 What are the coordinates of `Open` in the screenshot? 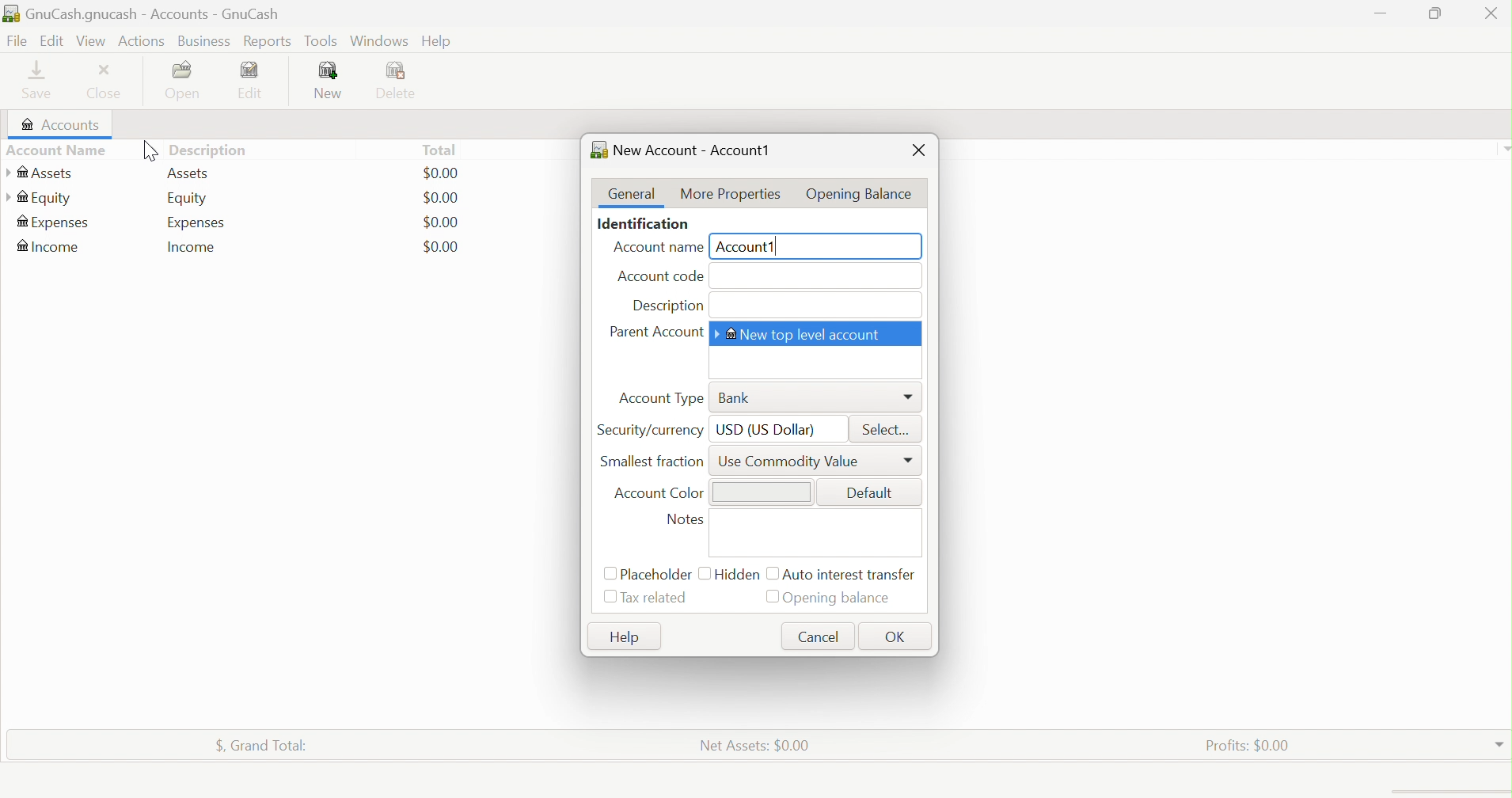 It's located at (186, 81).